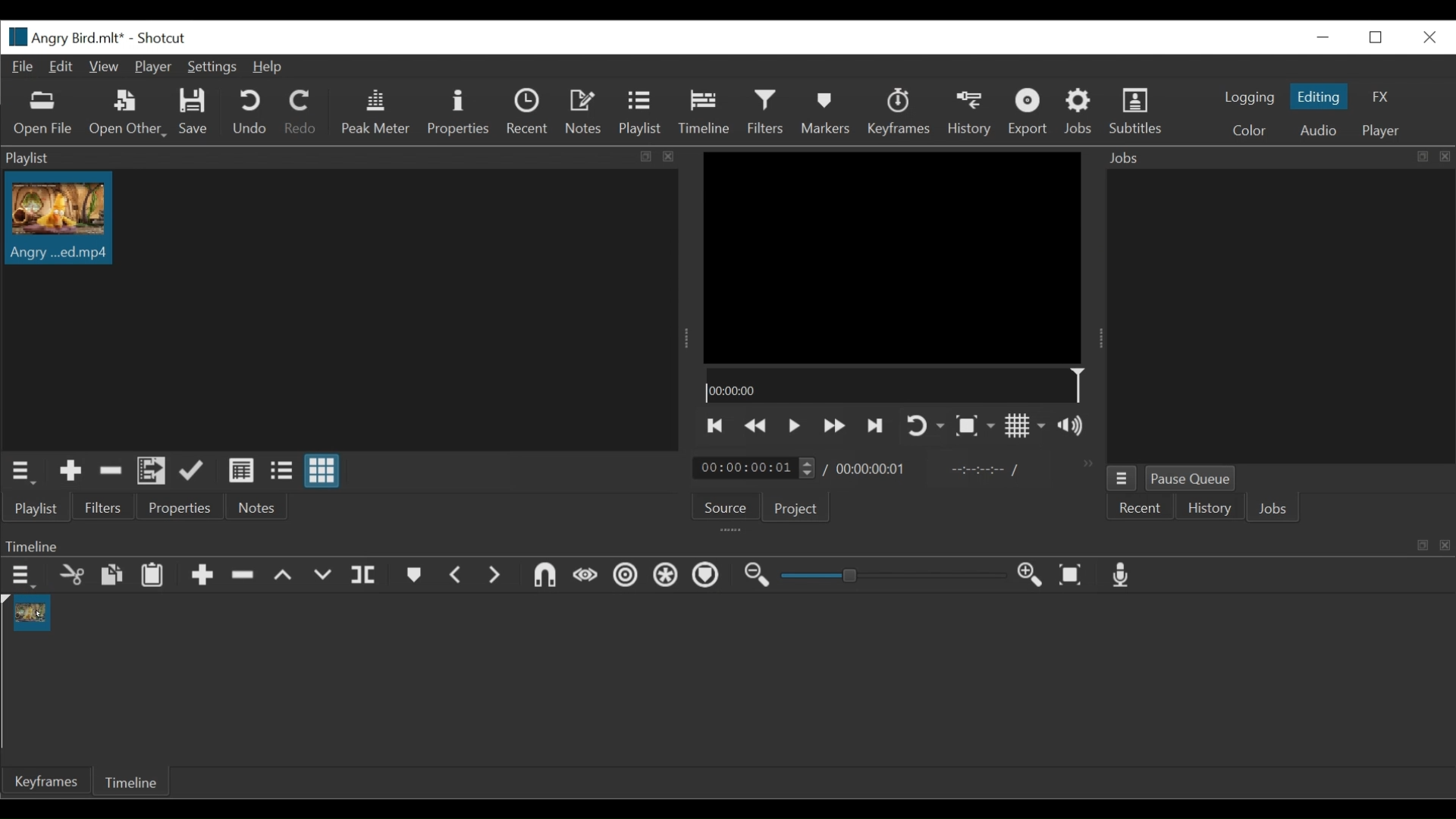 The width and height of the screenshot is (1456, 819). Describe the element at coordinates (1072, 576) in the screenshot. I see `Zoom timeline to fit` at that location.